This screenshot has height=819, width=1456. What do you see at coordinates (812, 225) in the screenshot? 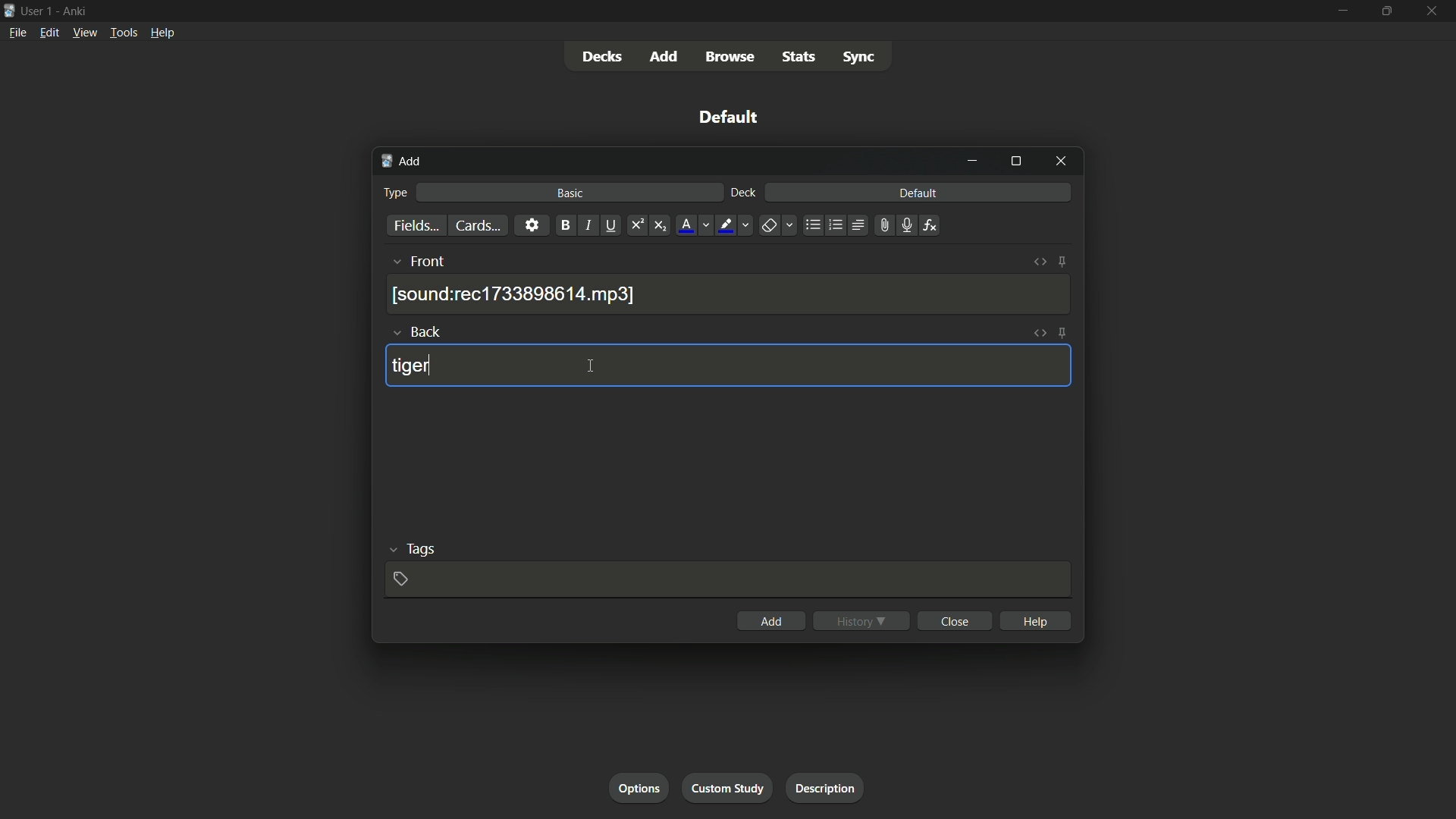
I see `unordered list` at bounding box center [812, 225].